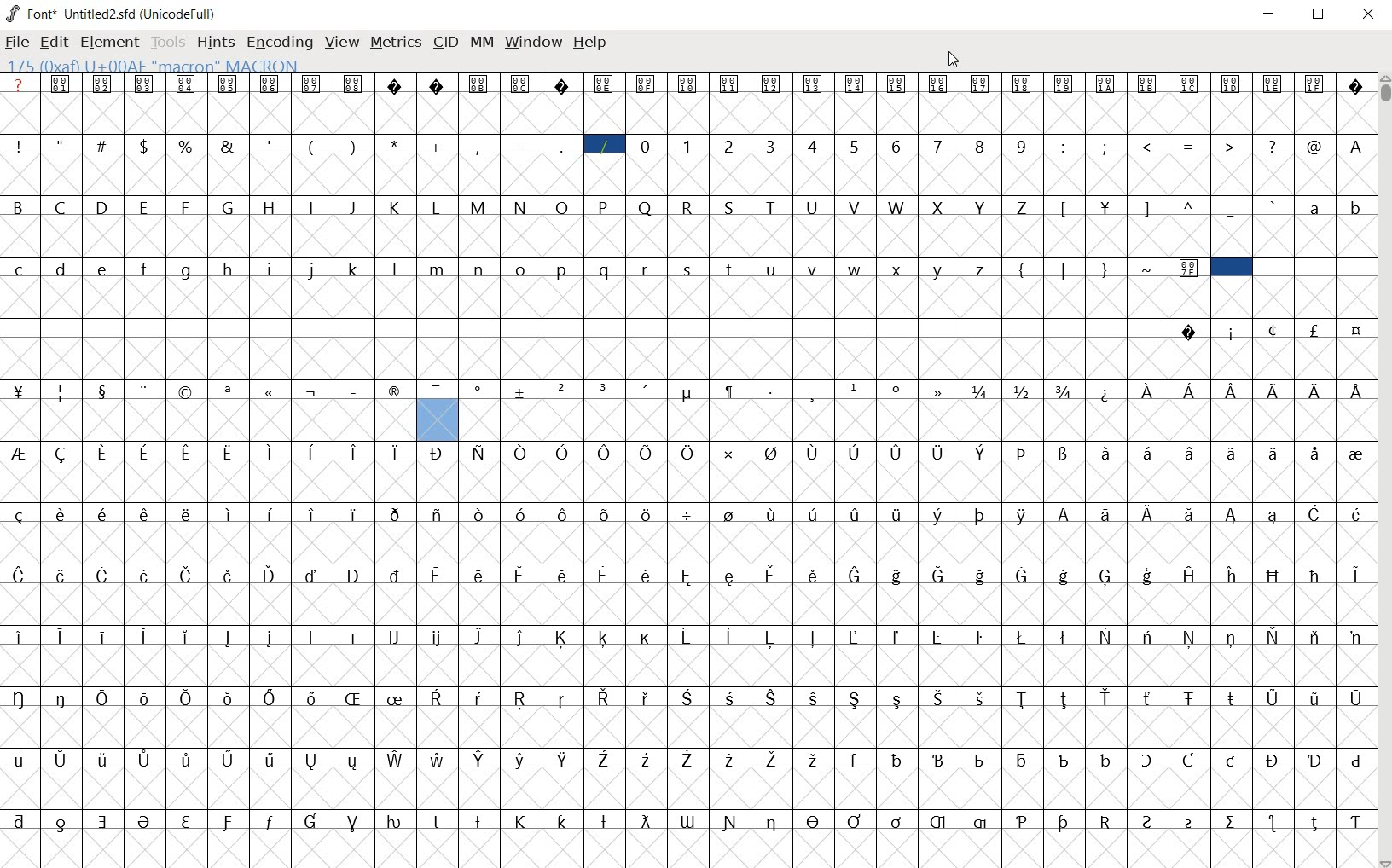  I want to click on window, so click(533, 43).